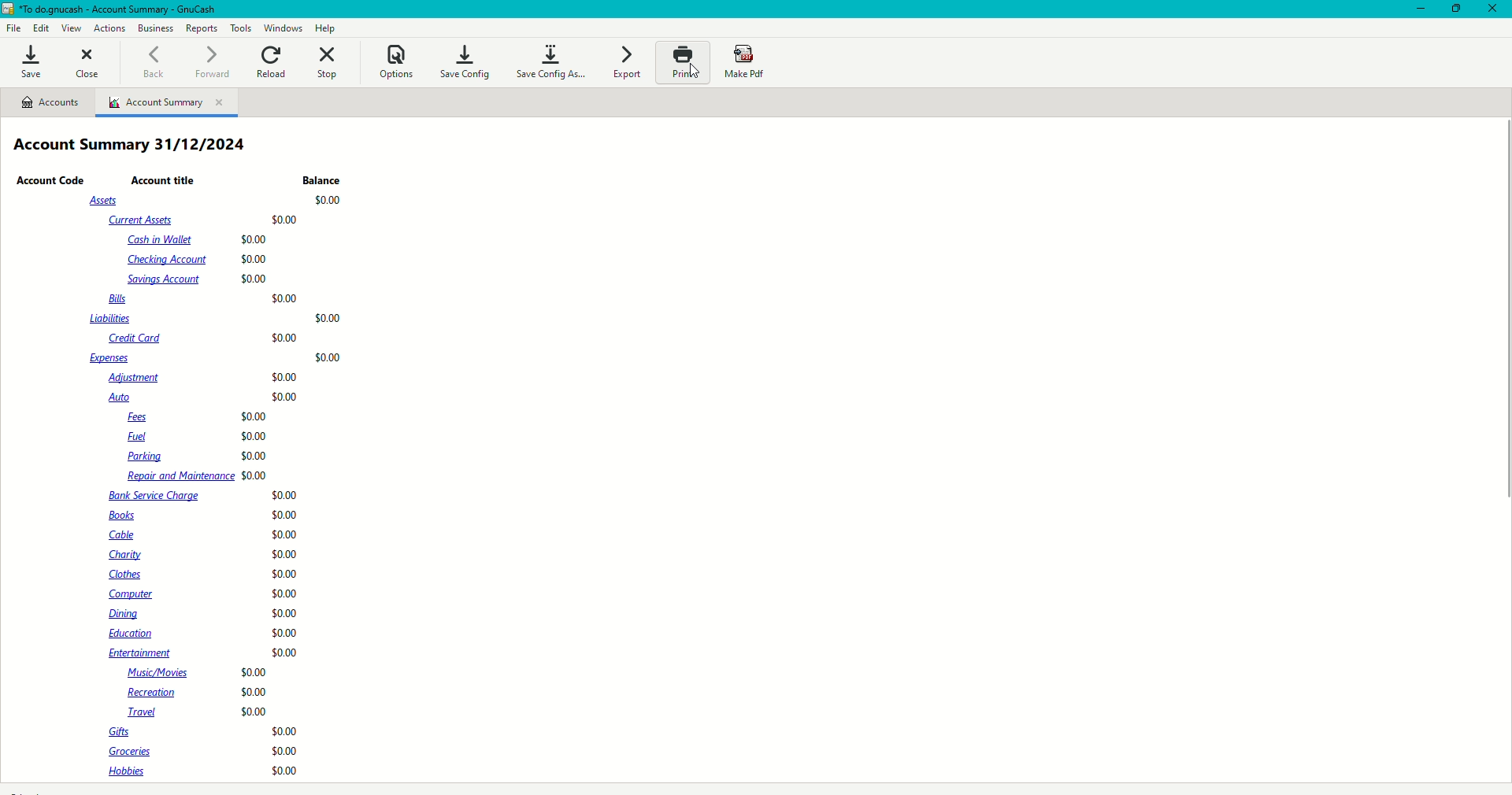  I want to click on Business, so click(157, 29).